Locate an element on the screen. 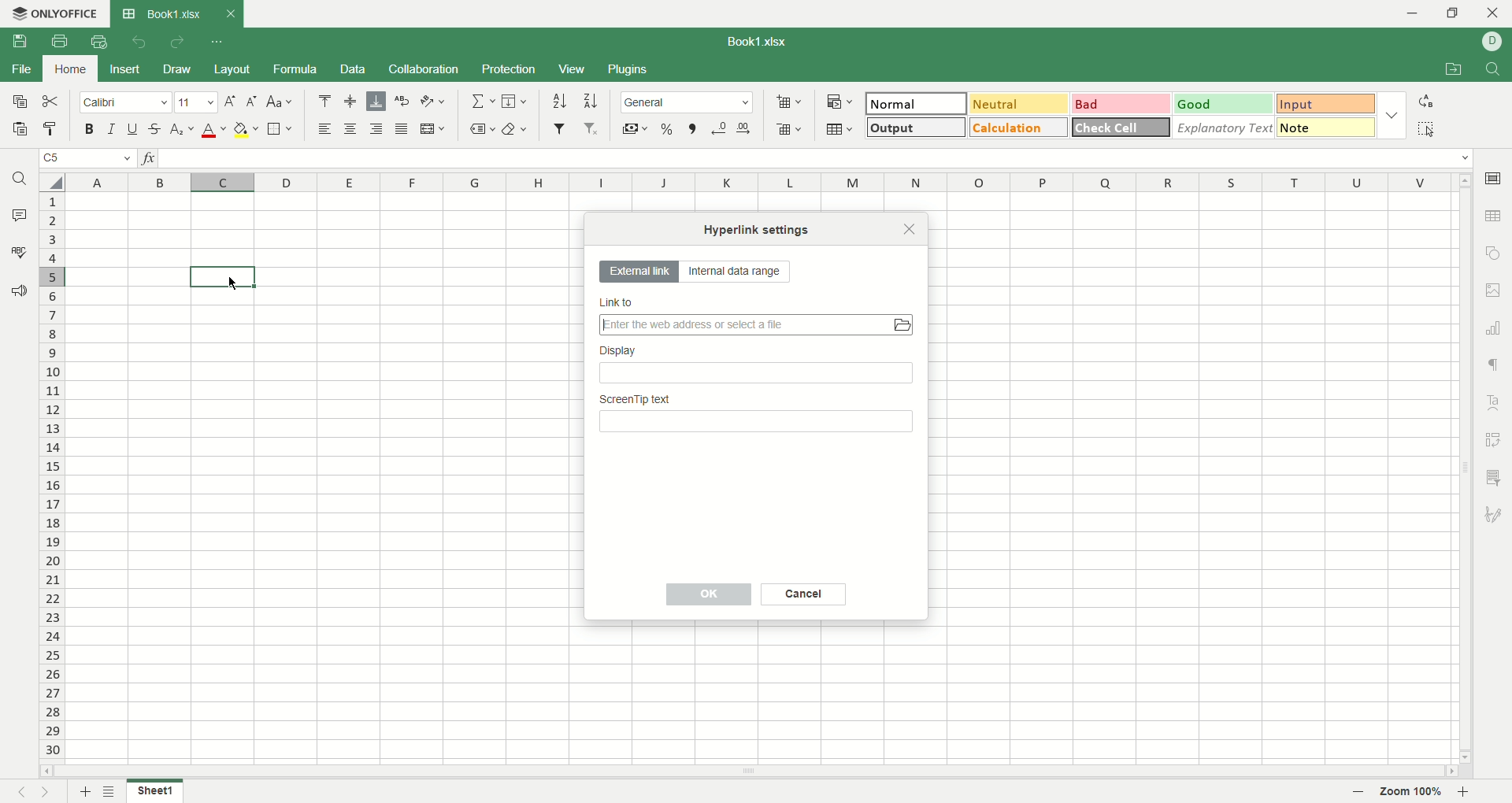 The image size is (1512, 803). draw is located at coordinates (179, 70).